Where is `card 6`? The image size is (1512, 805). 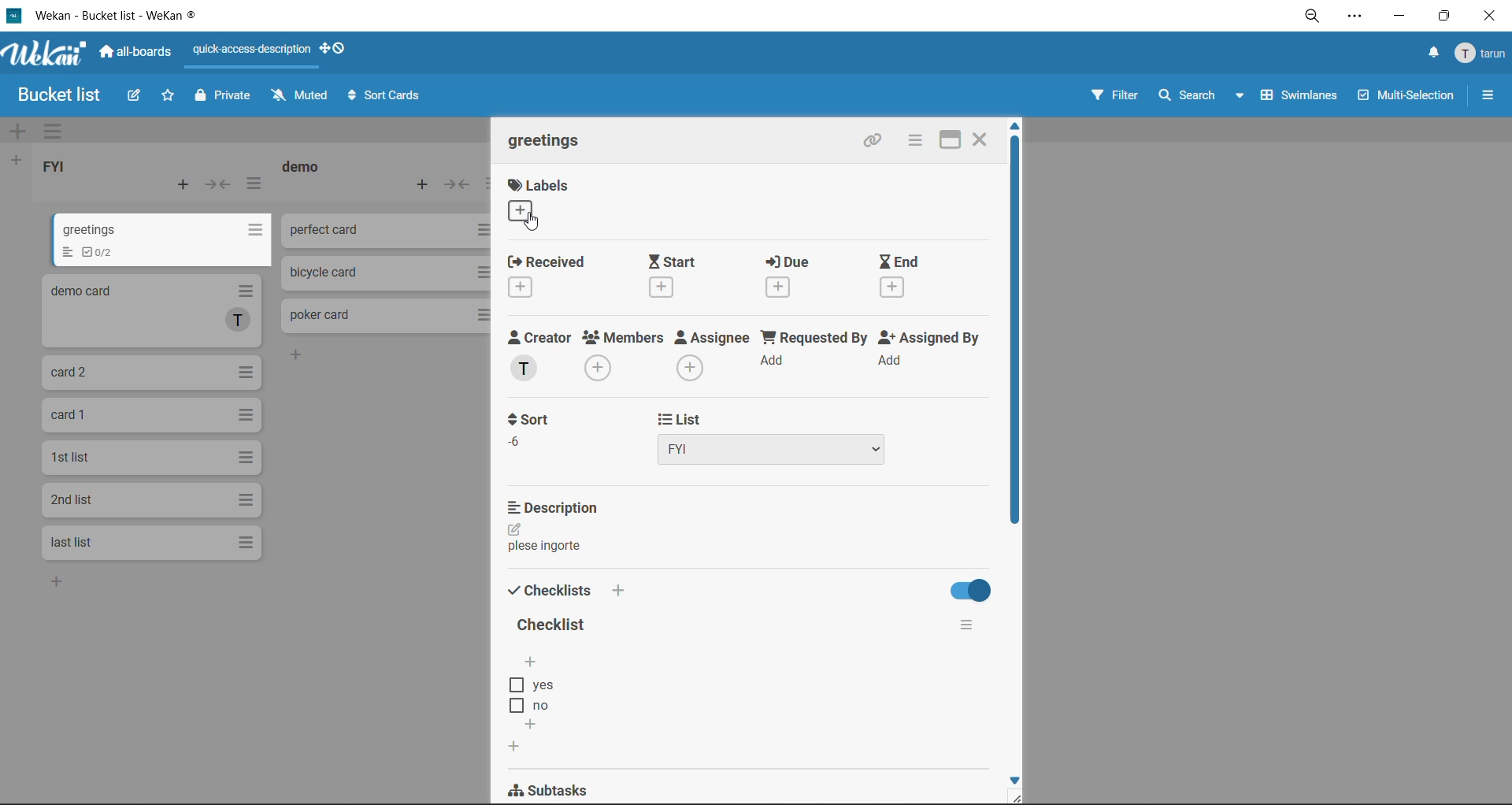 card 6 is located at coordinates (149, 499).